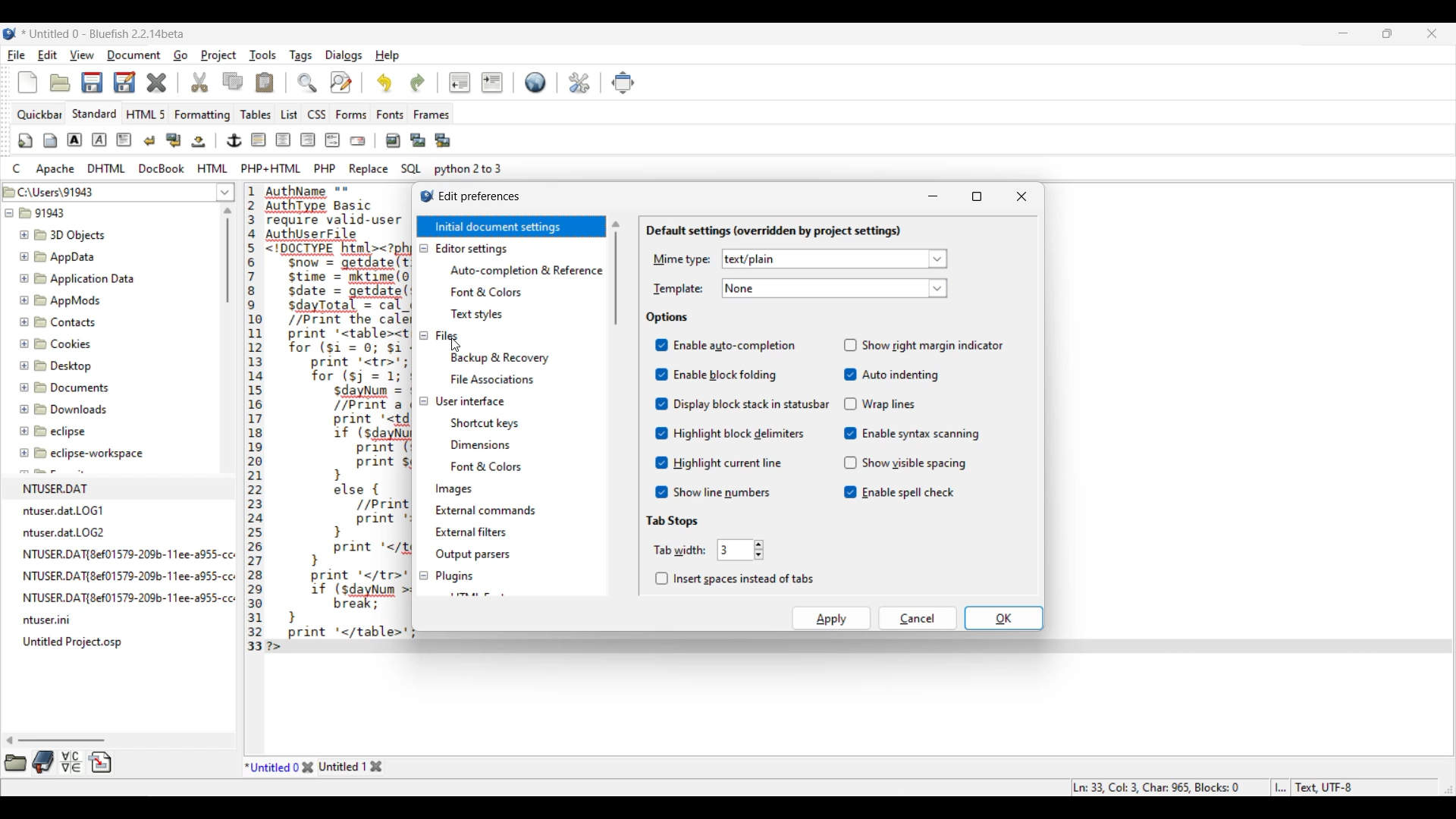  Describe the element at coordinates (851, 419) in the screenshot. I see `Indicates toggle on/off` at that location.